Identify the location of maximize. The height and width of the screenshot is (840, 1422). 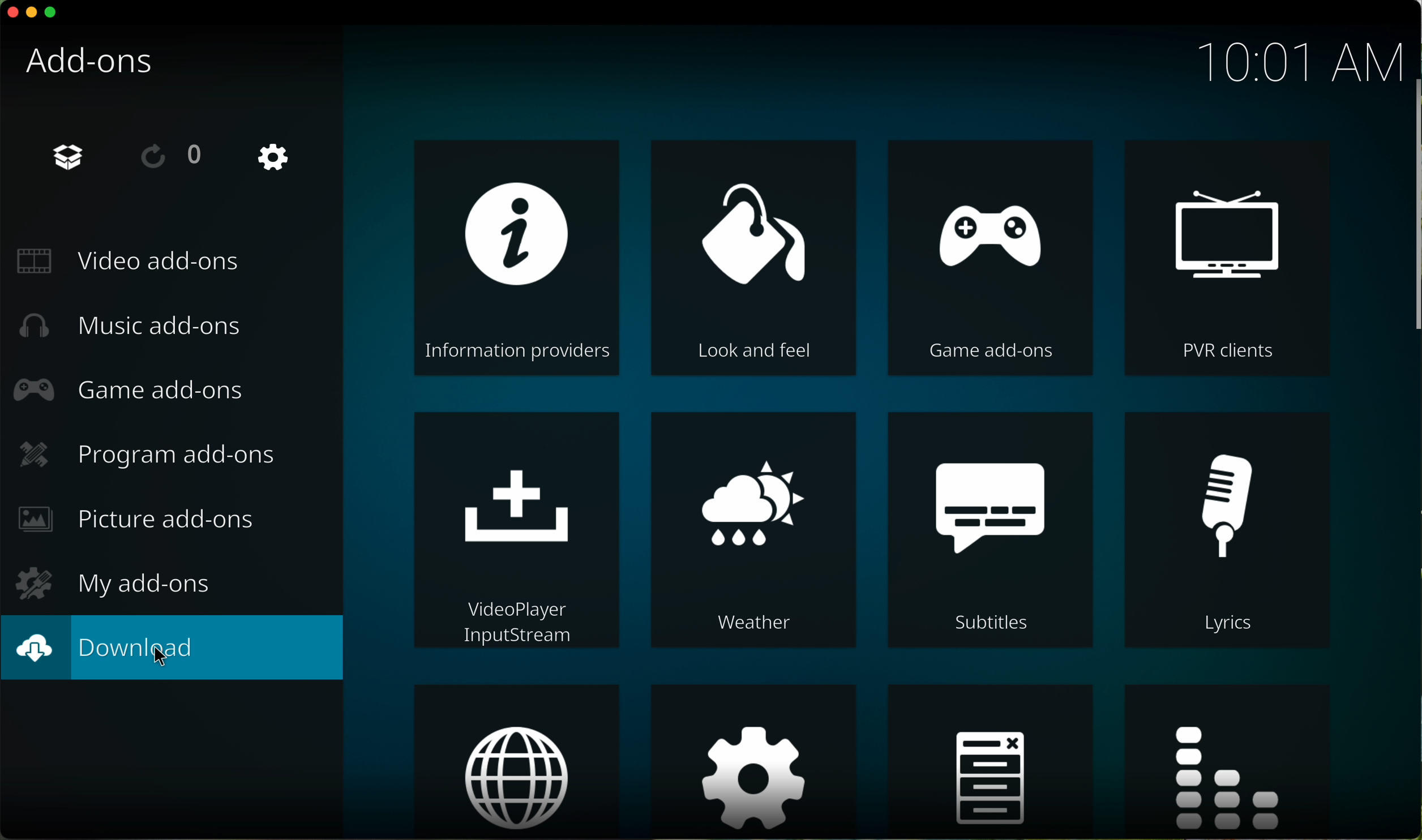
(52, 14).